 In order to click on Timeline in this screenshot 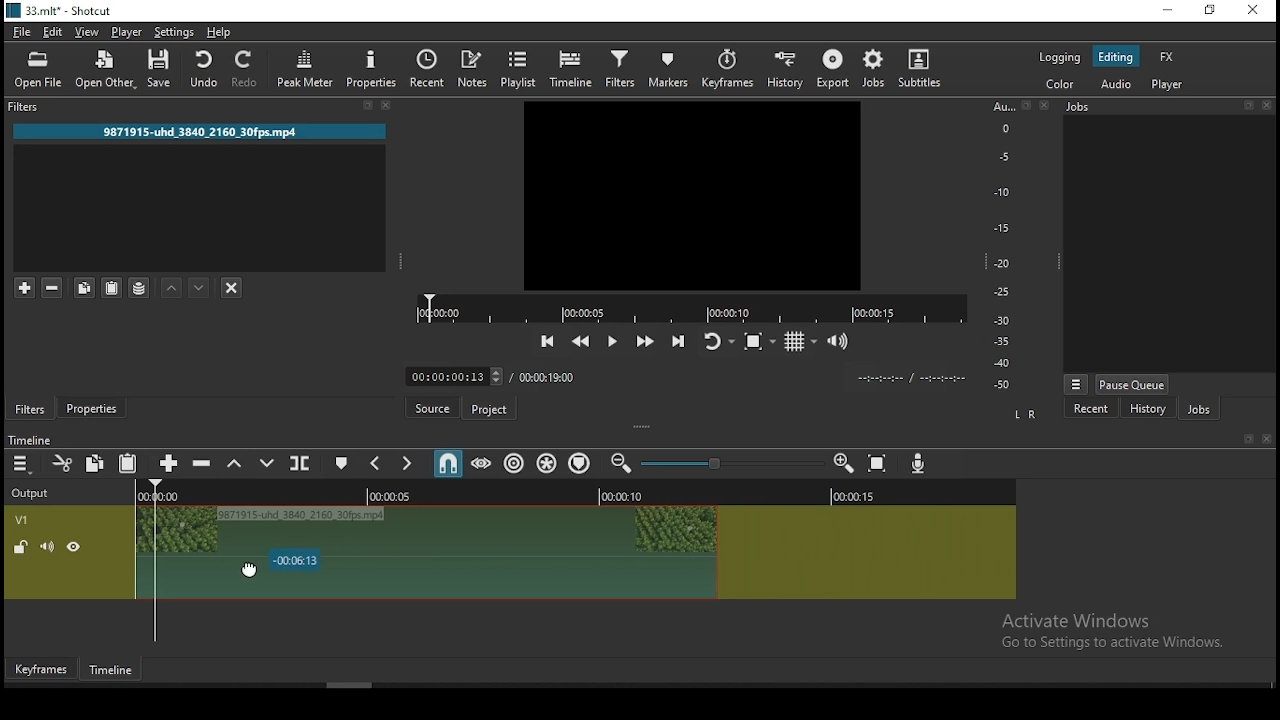, I will do `click(110, 670)`.